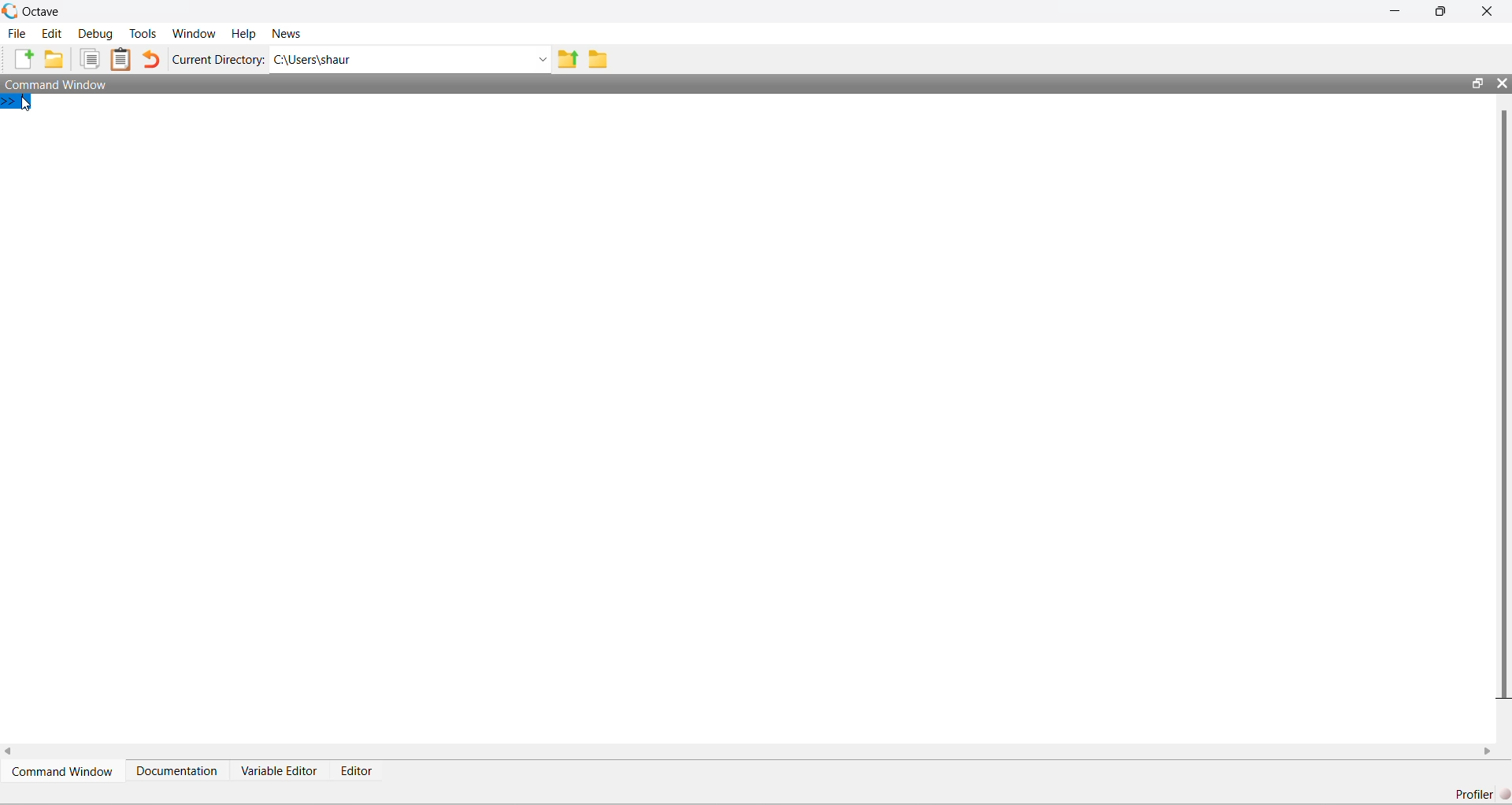  I want to click on File, so click(16, 32).